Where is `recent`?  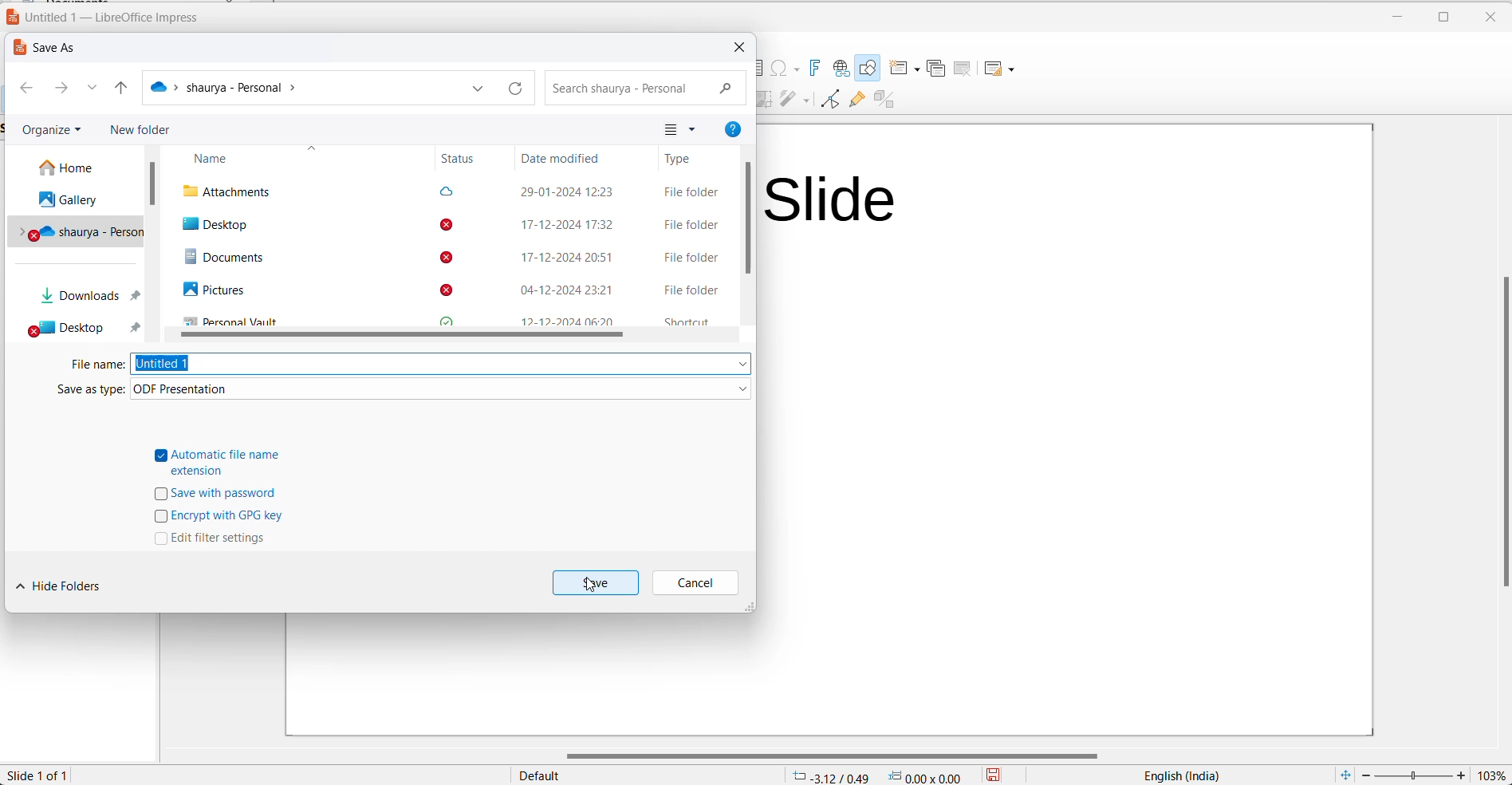
recent is located at coordinates (96, 88).